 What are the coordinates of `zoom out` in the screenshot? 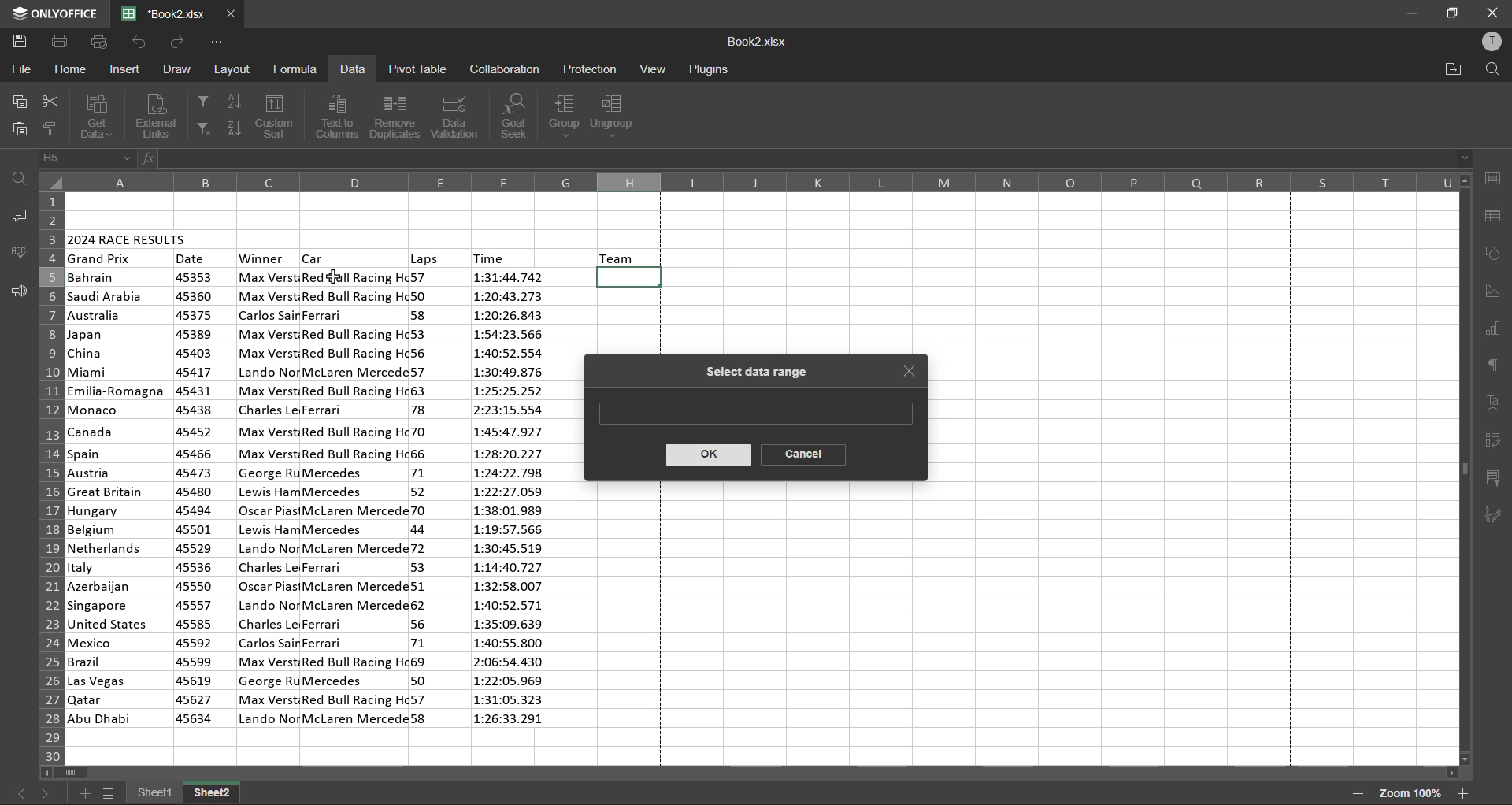 It's located at (1356, 794).